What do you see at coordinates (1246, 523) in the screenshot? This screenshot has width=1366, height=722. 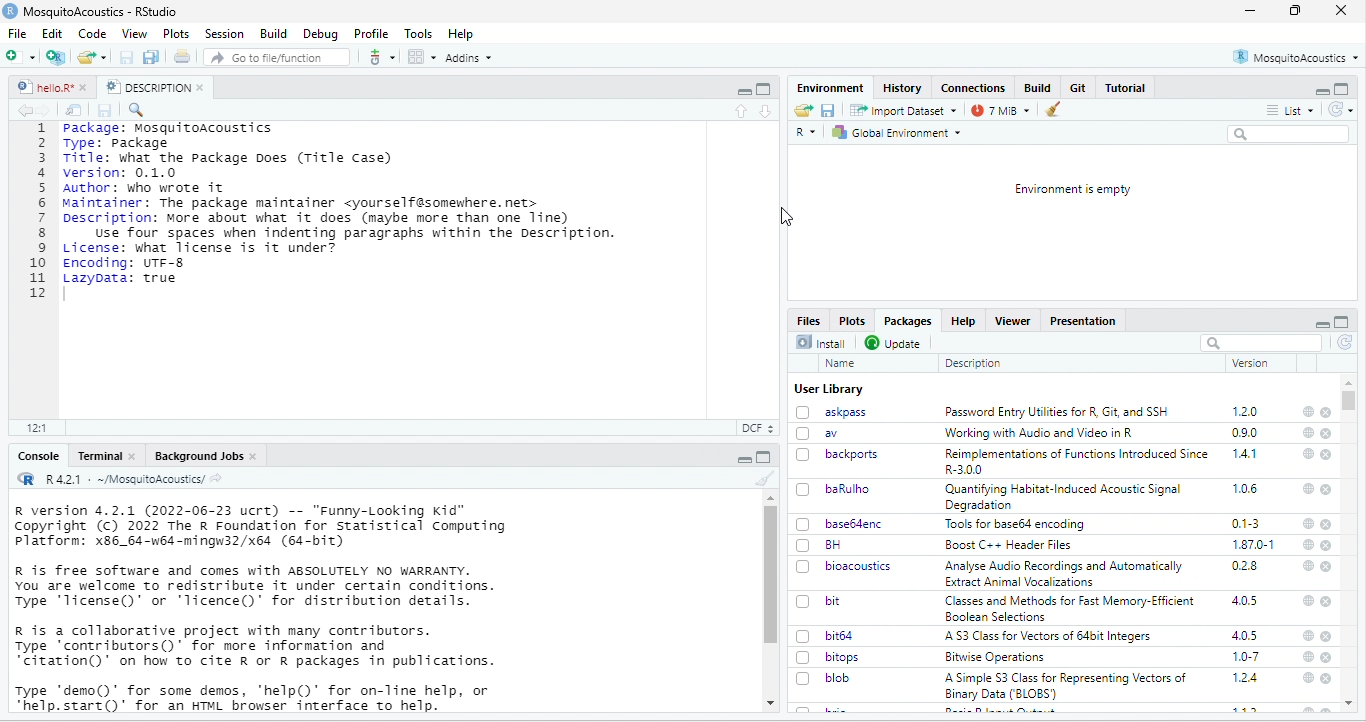 I see `0.1-3` at bounding box center [1246, 523].